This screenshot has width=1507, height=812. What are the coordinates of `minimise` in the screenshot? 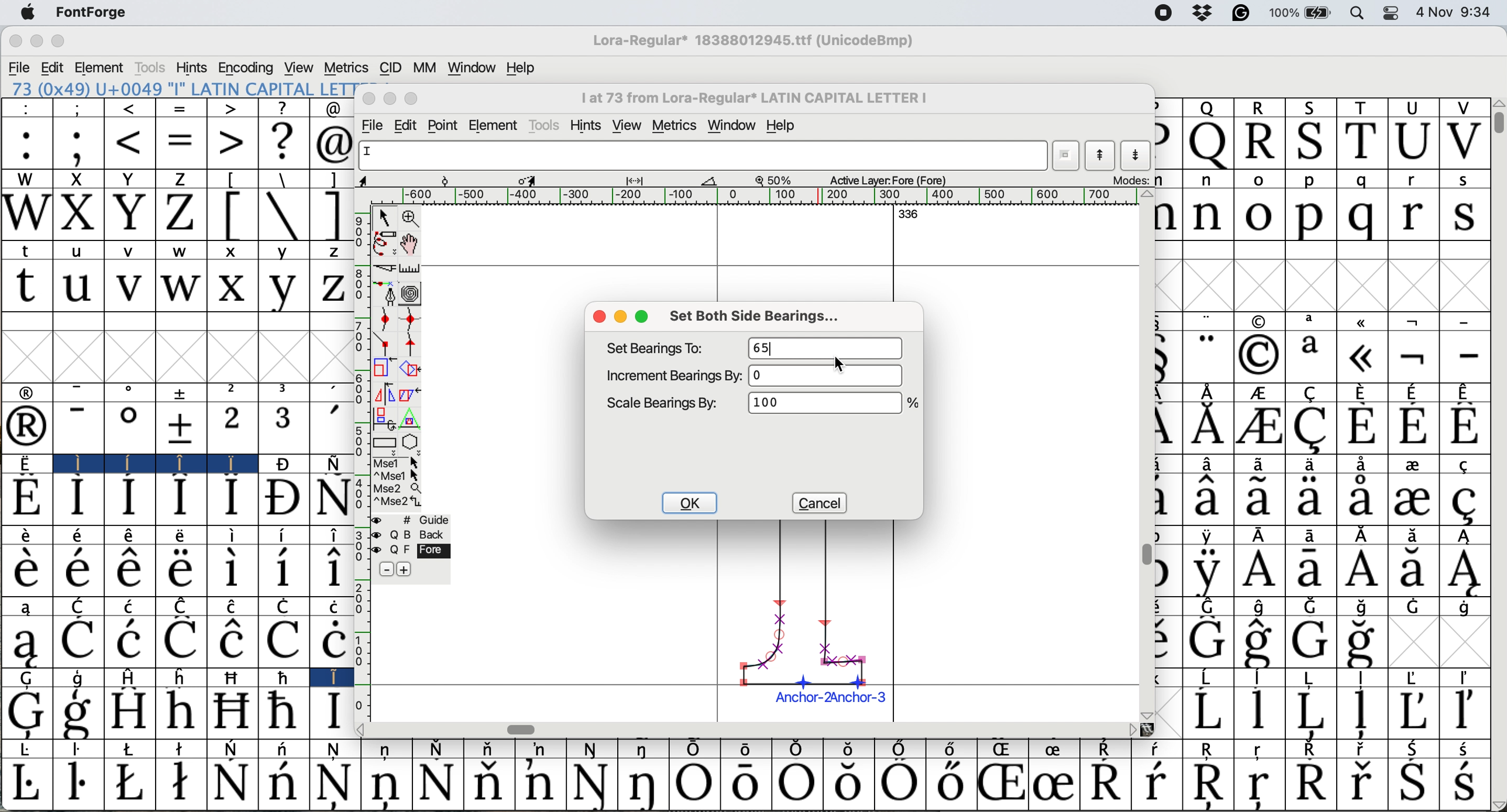 It's located at (621, 316).